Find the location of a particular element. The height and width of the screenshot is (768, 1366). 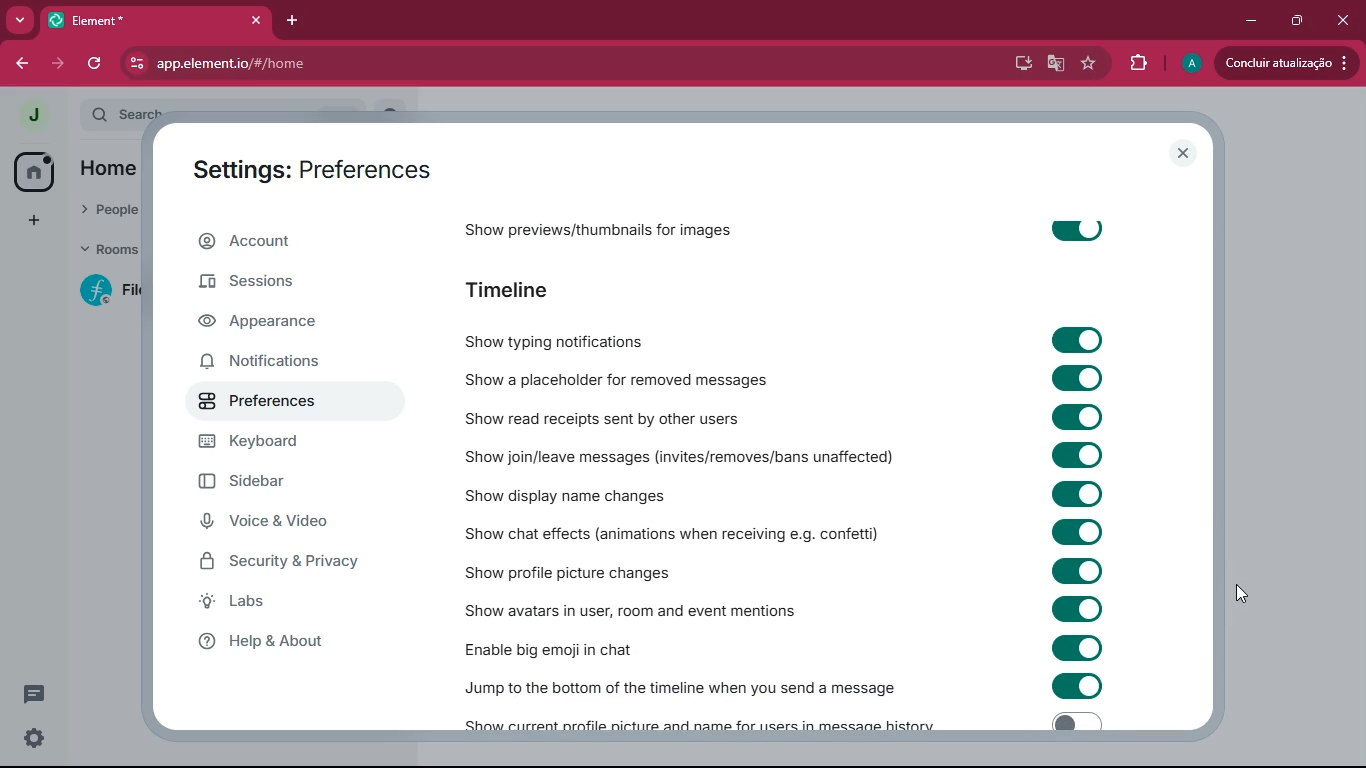

add is located at coordinates (30, 222).